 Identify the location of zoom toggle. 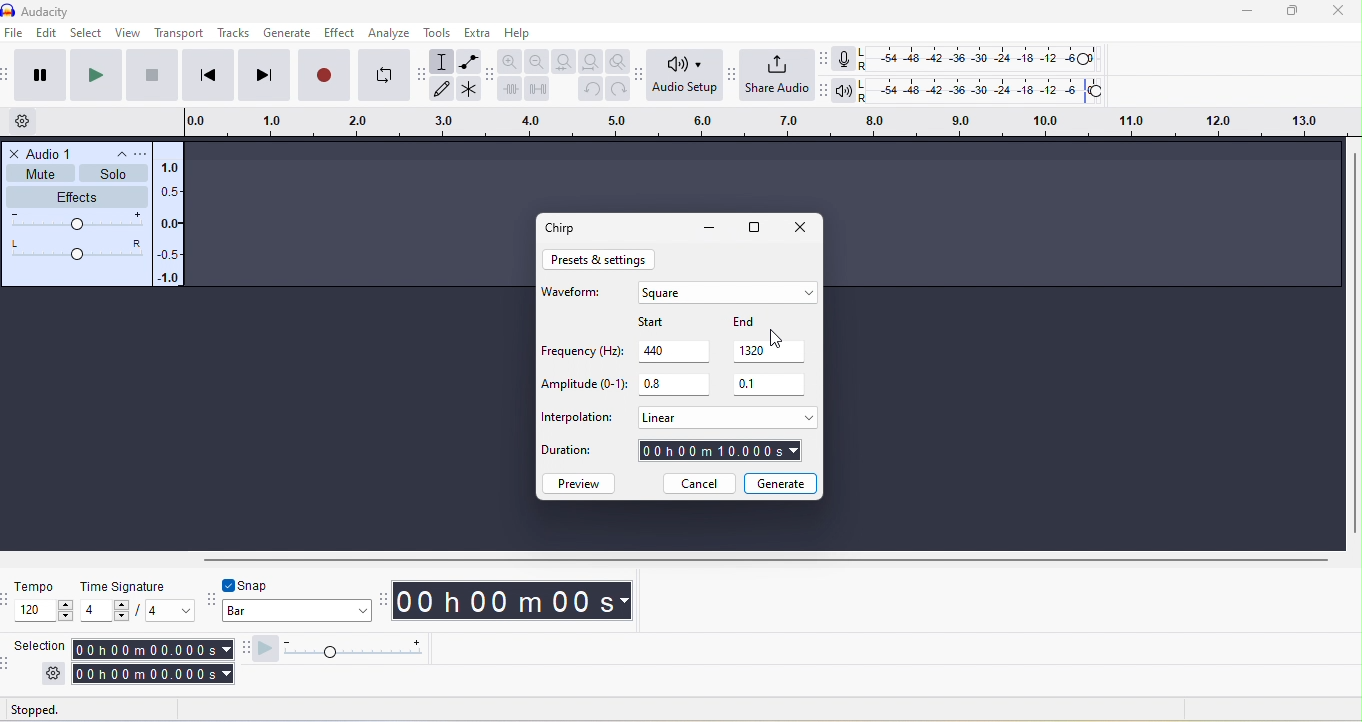
(620, 62).